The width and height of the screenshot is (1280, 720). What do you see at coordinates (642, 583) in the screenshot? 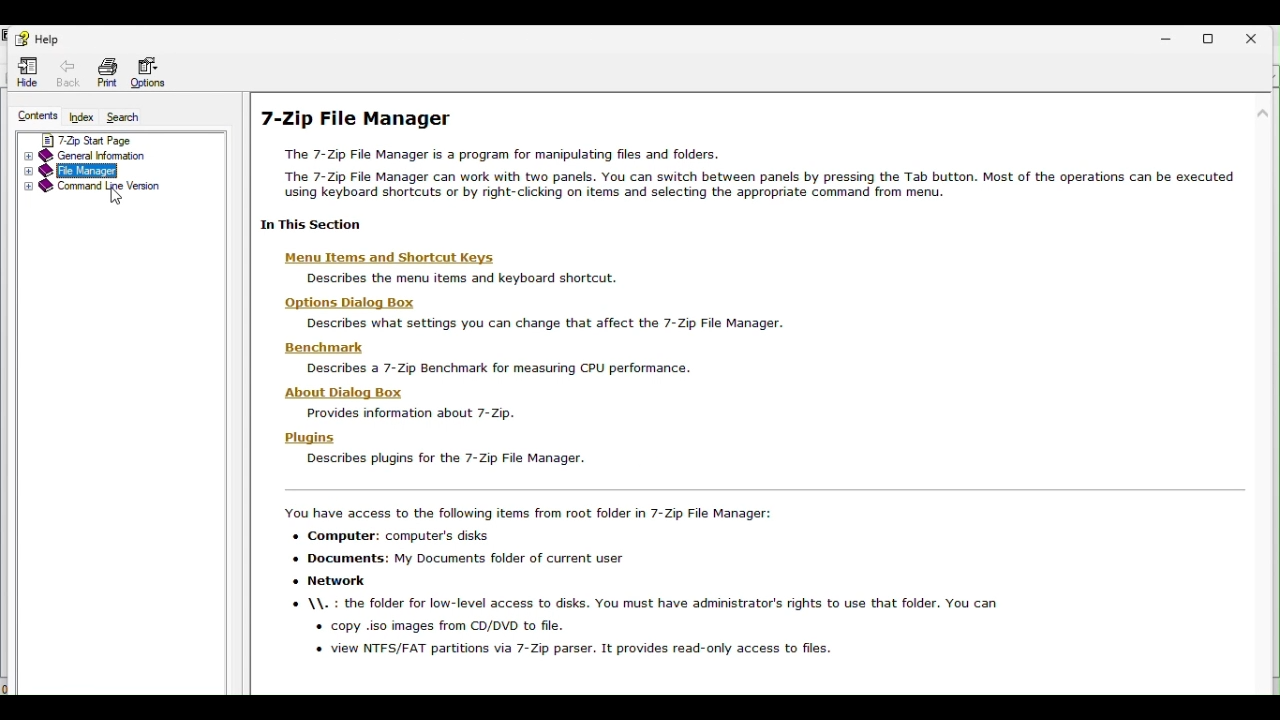
I see `` at bounding box center [642, 583].